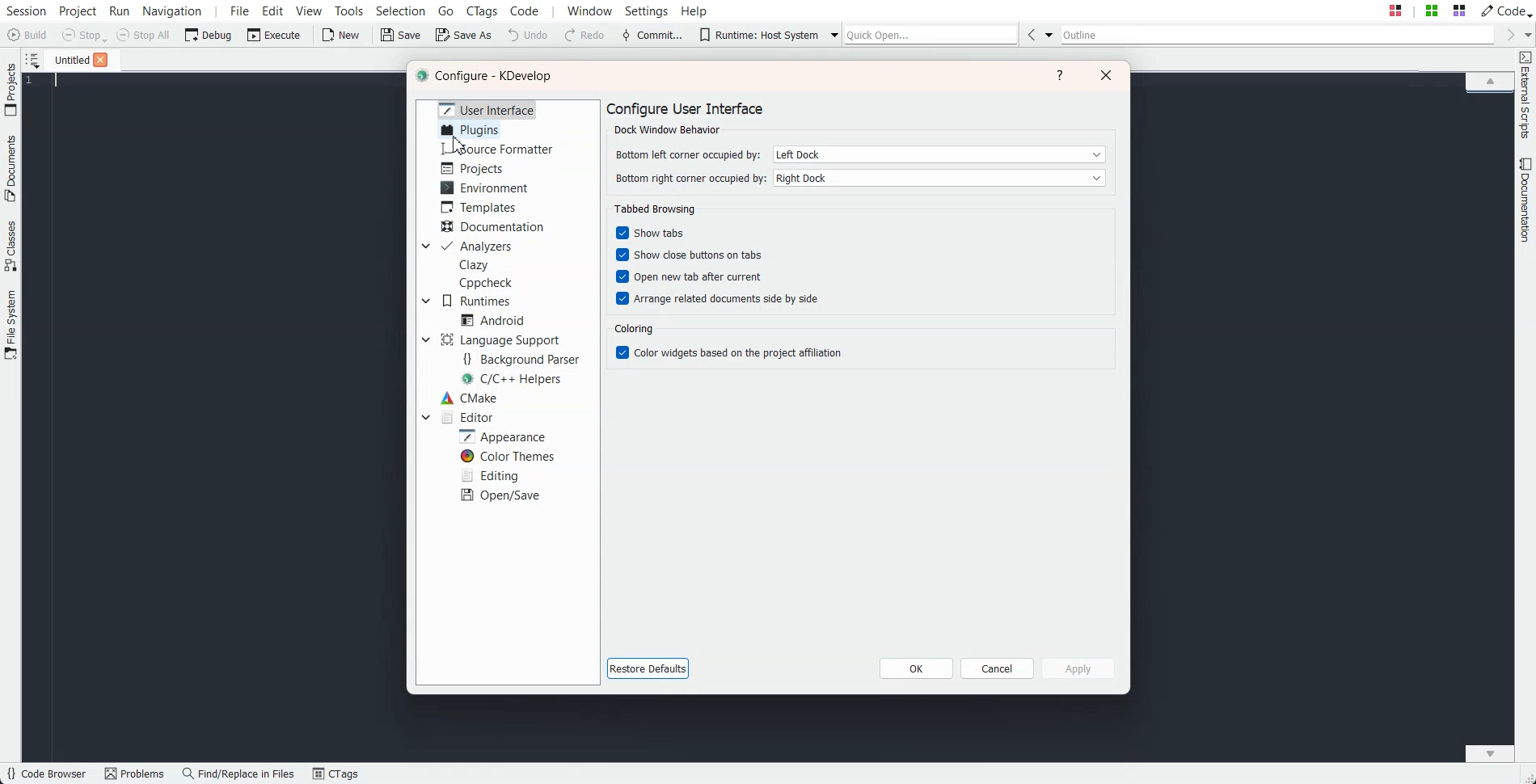  What do you see at coordinates (1031, 34) in the screenshot?
I see `Go Back` at bounding box center [1031, 34].